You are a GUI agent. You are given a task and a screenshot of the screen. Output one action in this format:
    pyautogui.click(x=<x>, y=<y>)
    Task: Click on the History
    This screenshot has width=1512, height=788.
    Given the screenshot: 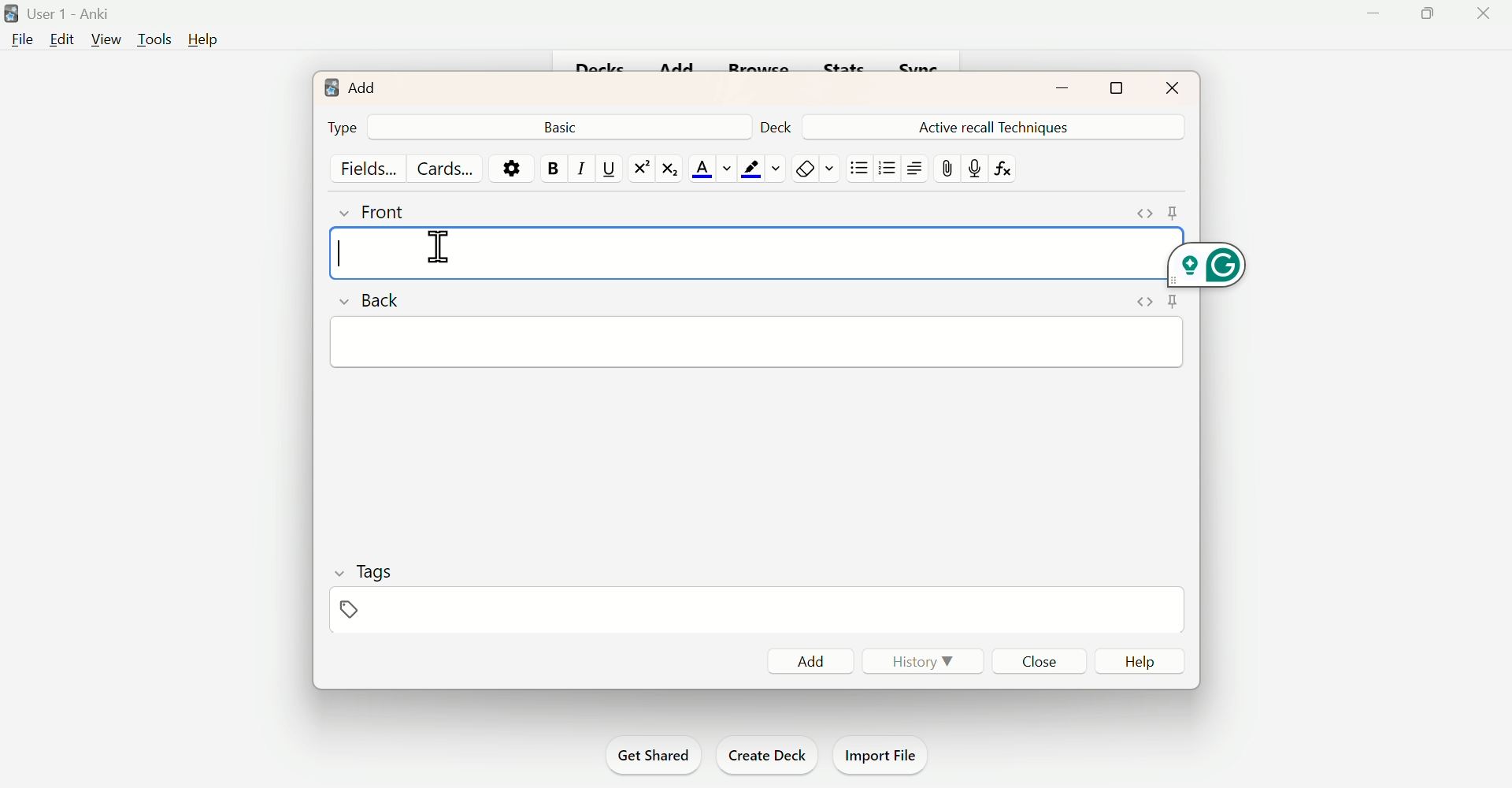 What is the action you would take?
    pyautogui.click(x=929, y=663)
    